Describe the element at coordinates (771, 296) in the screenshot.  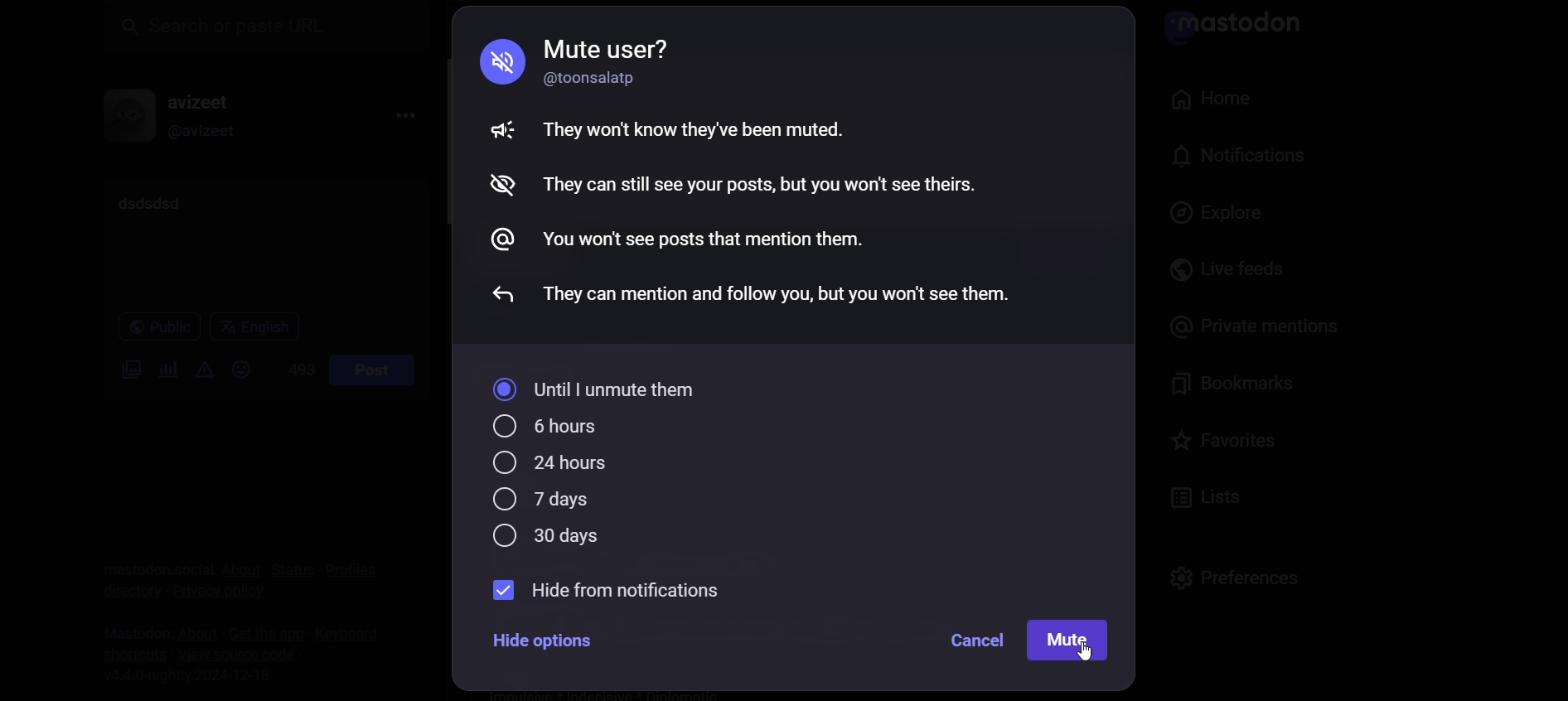
I see `` at that location.